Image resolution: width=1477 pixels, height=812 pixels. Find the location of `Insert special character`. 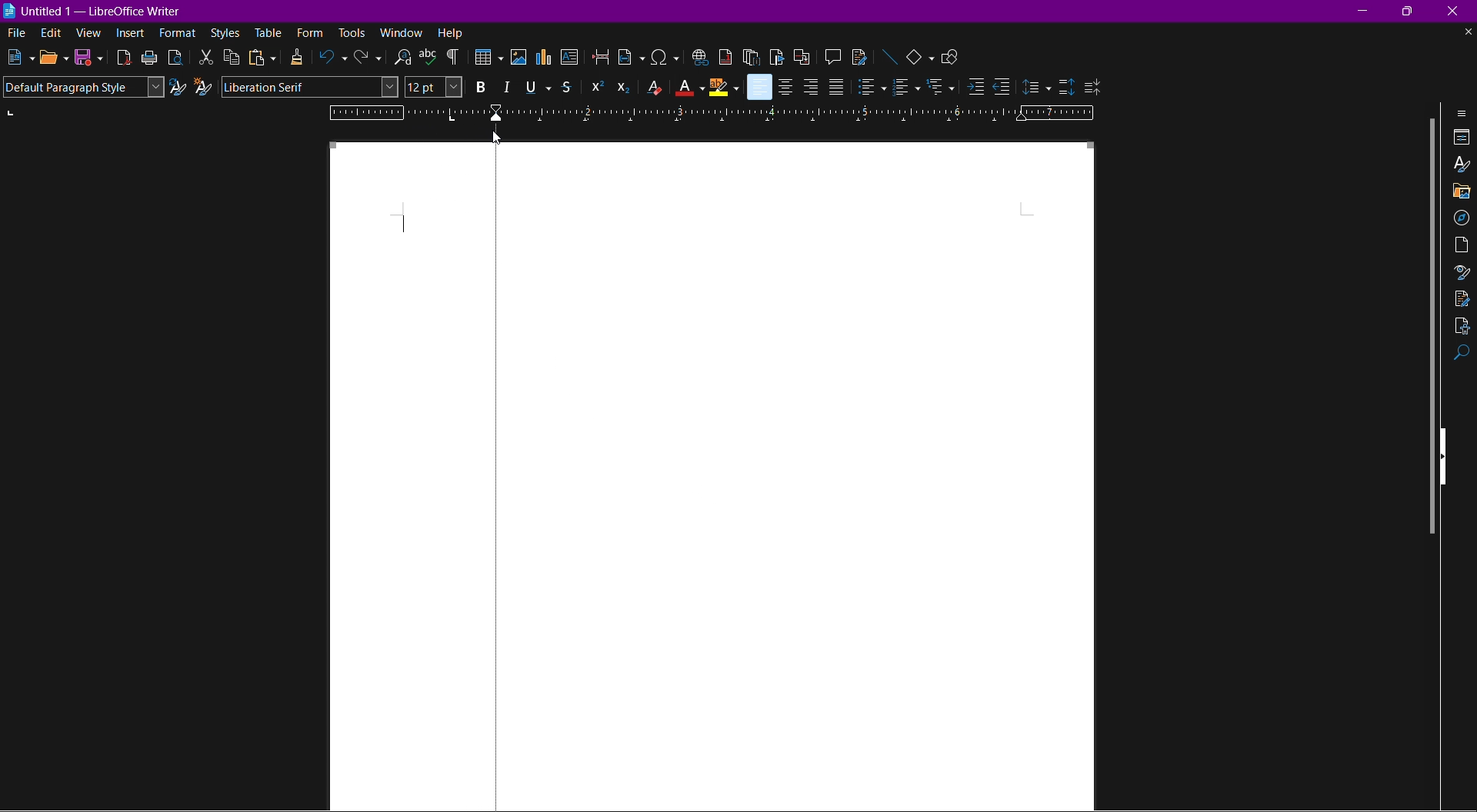

Insert special character is located at coordinates (665, 56).